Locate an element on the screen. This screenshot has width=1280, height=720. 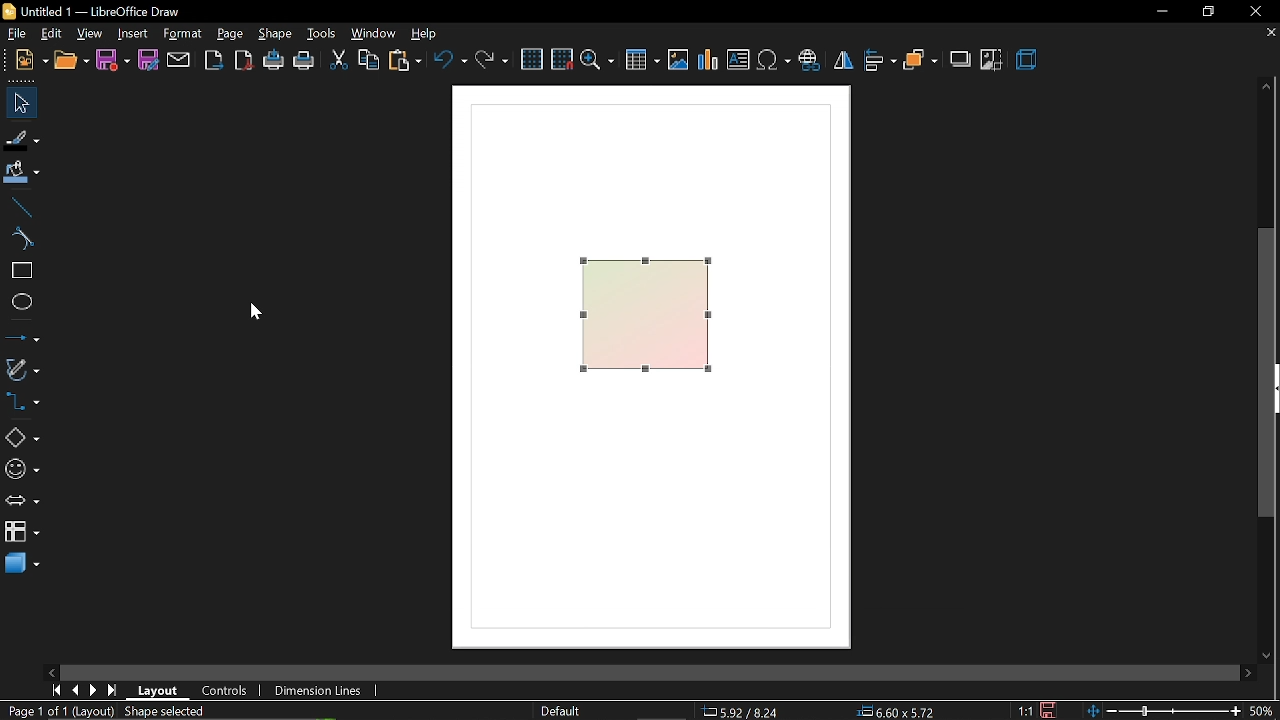
Line is located at coordinates (18, 205).